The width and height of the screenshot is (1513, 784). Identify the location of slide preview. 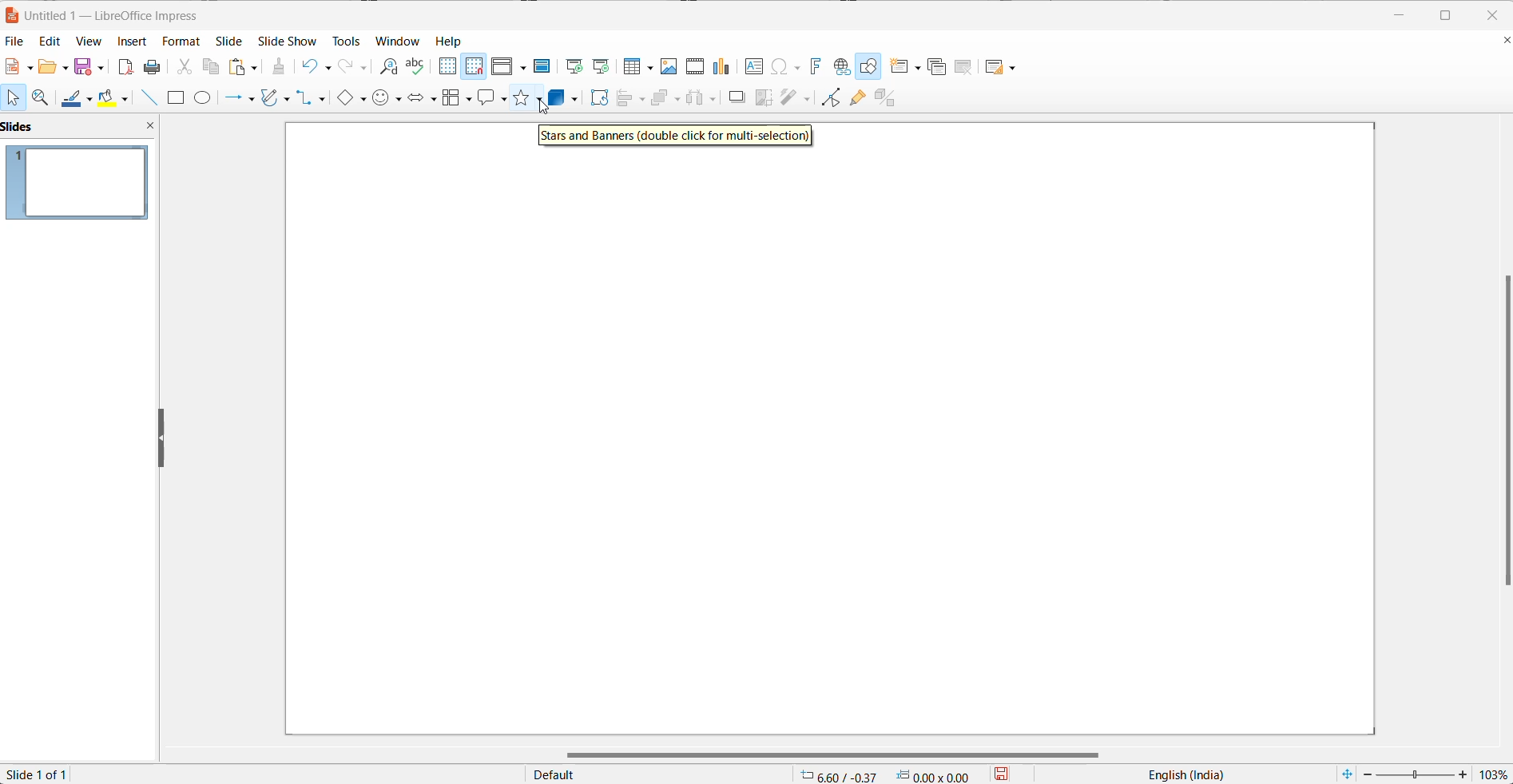
(77, 184).